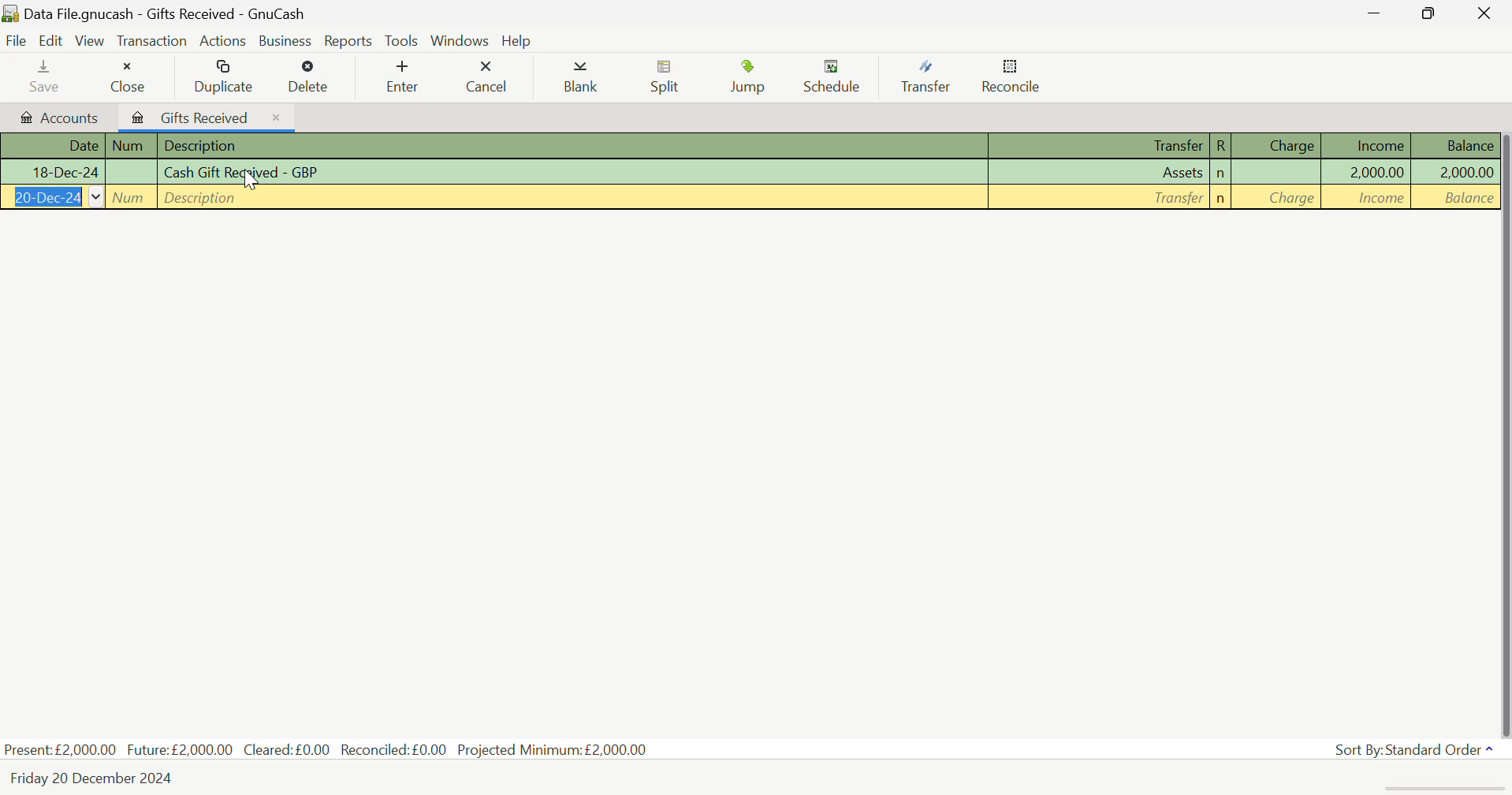  I want to click on Blank, so click(583, 78).